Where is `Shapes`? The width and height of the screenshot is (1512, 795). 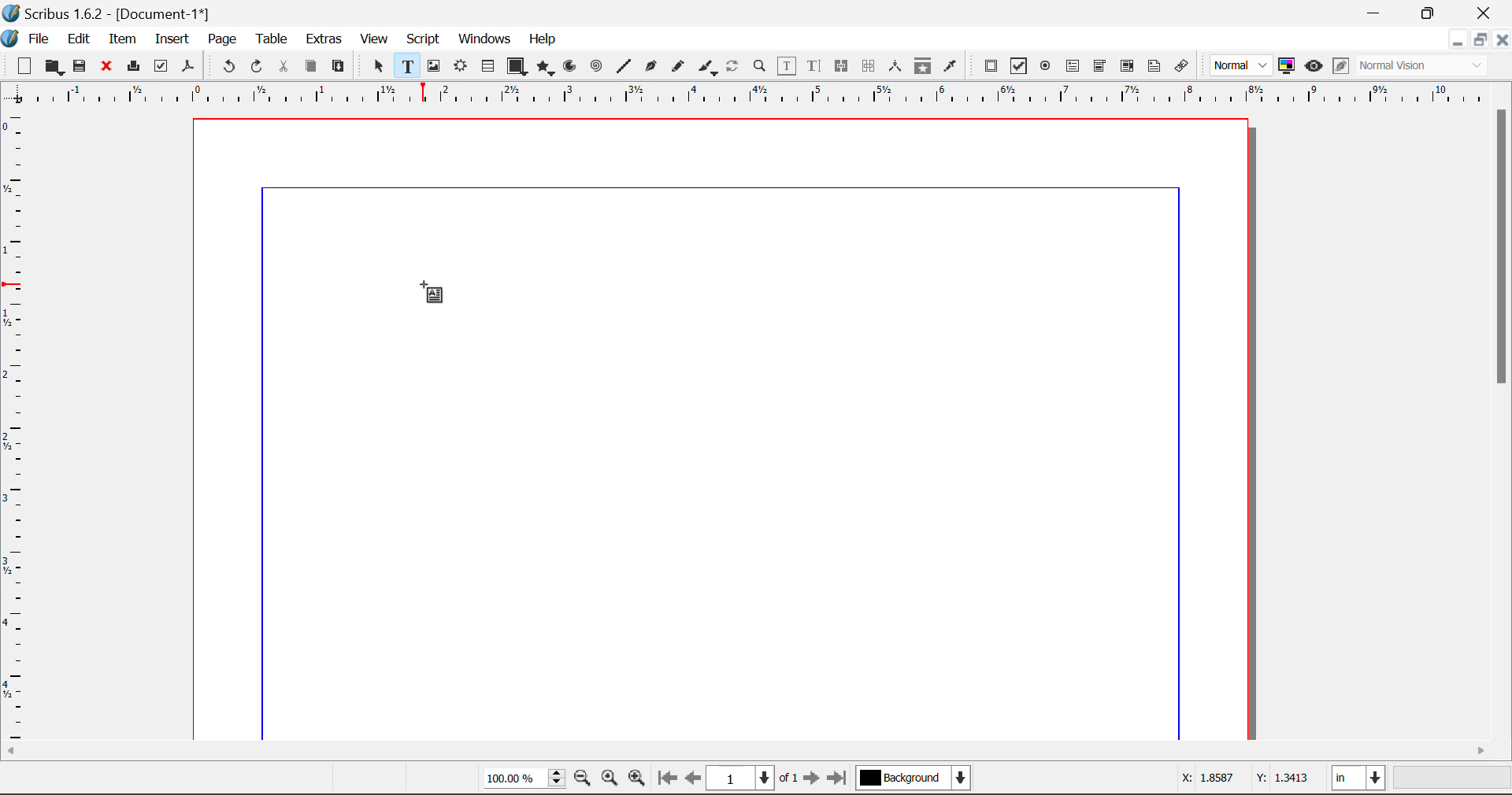 Shapes is located at coordinates (517, 65).